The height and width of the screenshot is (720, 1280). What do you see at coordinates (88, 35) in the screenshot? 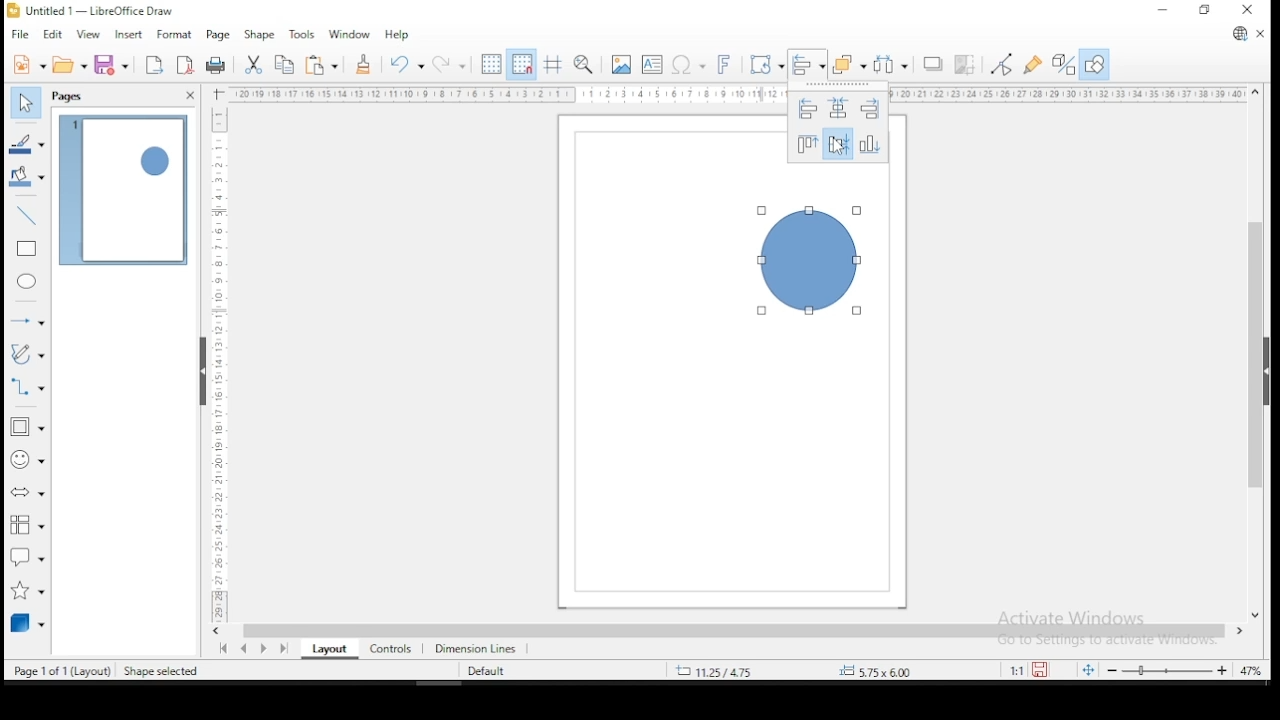
I see `view` at bounding box center [88, 35].